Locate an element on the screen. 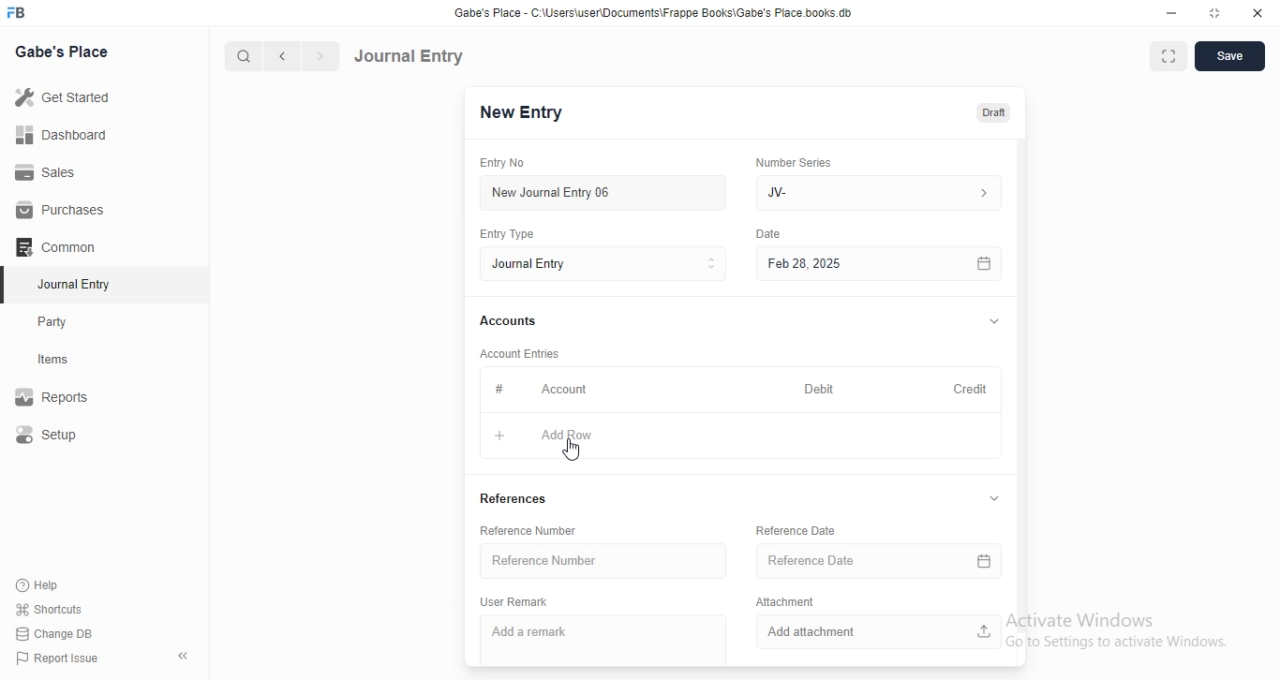  Credit is located at coordinates (969, 388).